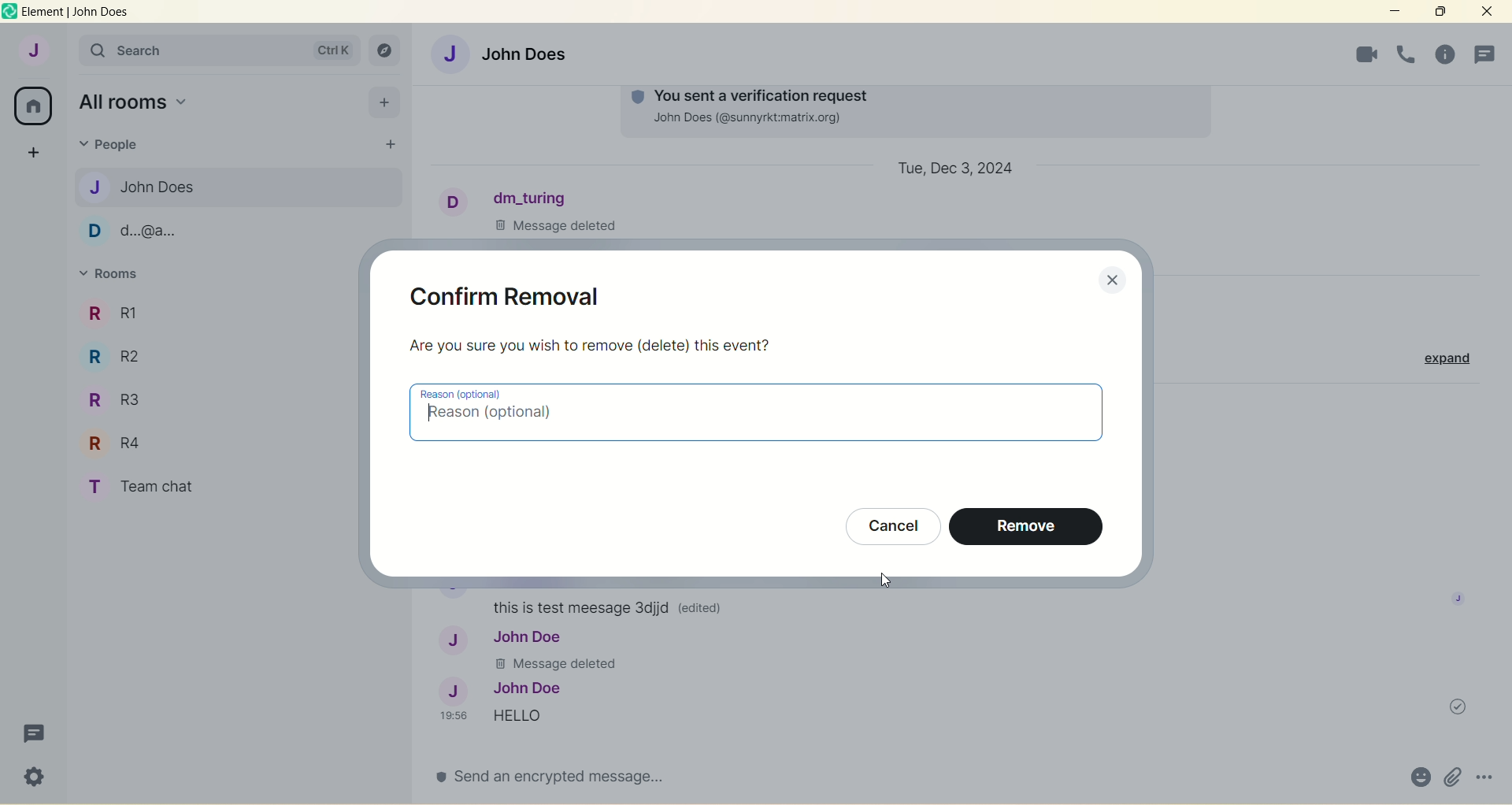 The width and height of the screenshot is (1512, 805). What do you see at coordinates (1440, 358) in the screenshot?
I see `expand` at bounding box center [1440, 358].